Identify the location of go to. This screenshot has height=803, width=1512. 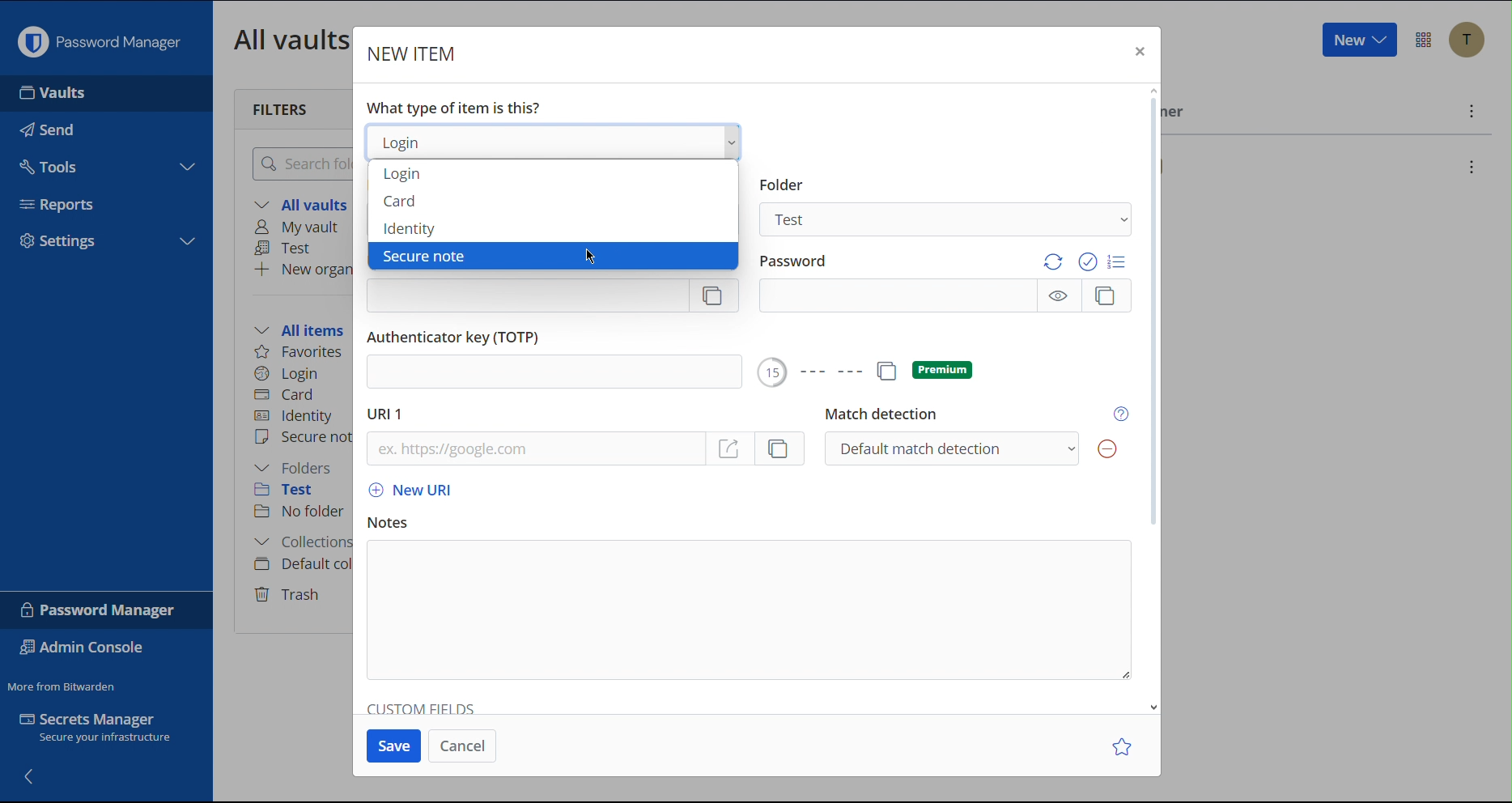
(731, 448).